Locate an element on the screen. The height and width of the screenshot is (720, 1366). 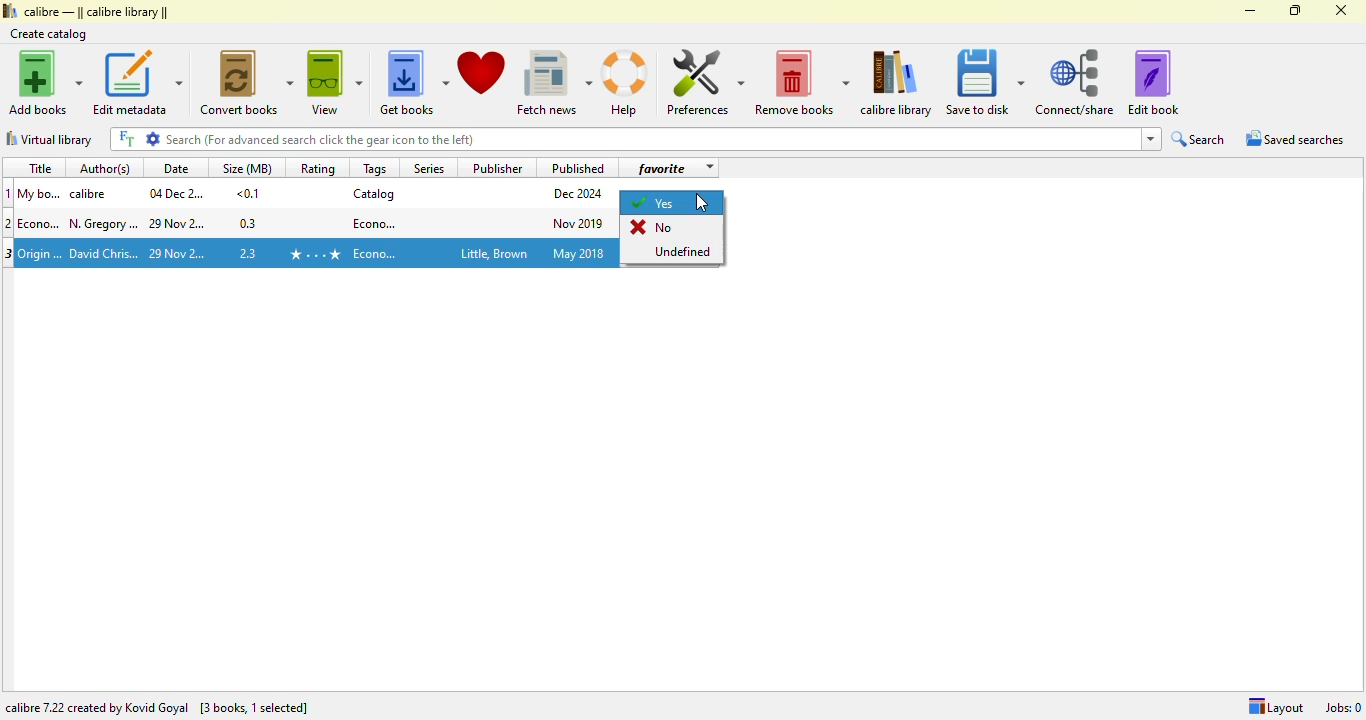
preferences is located at coordinates (704, 82).